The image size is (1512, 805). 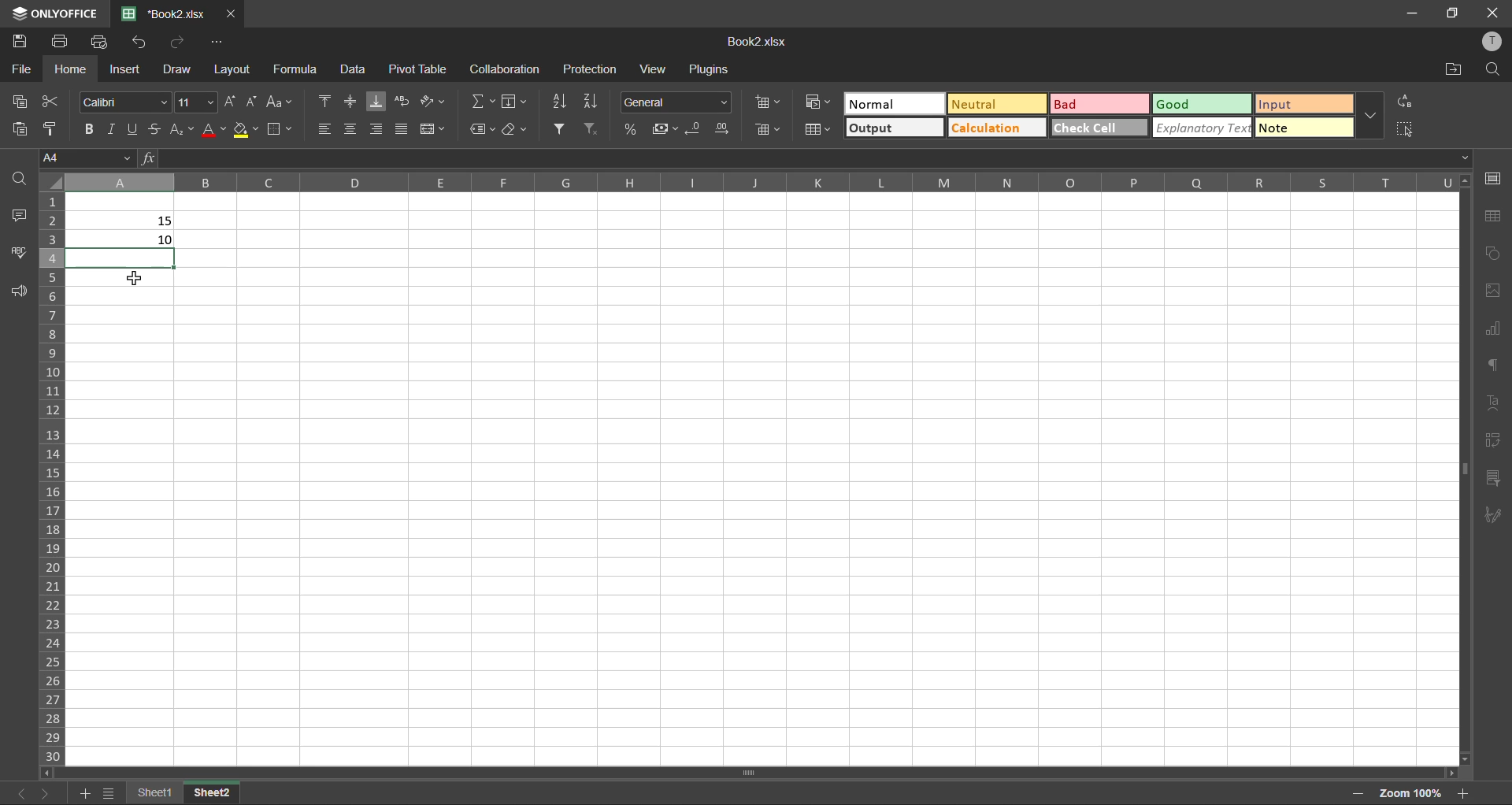 What do you see at coordinates (1494, 516) in the screenshot?
I see `signature` at bounding box center [1494, 516].